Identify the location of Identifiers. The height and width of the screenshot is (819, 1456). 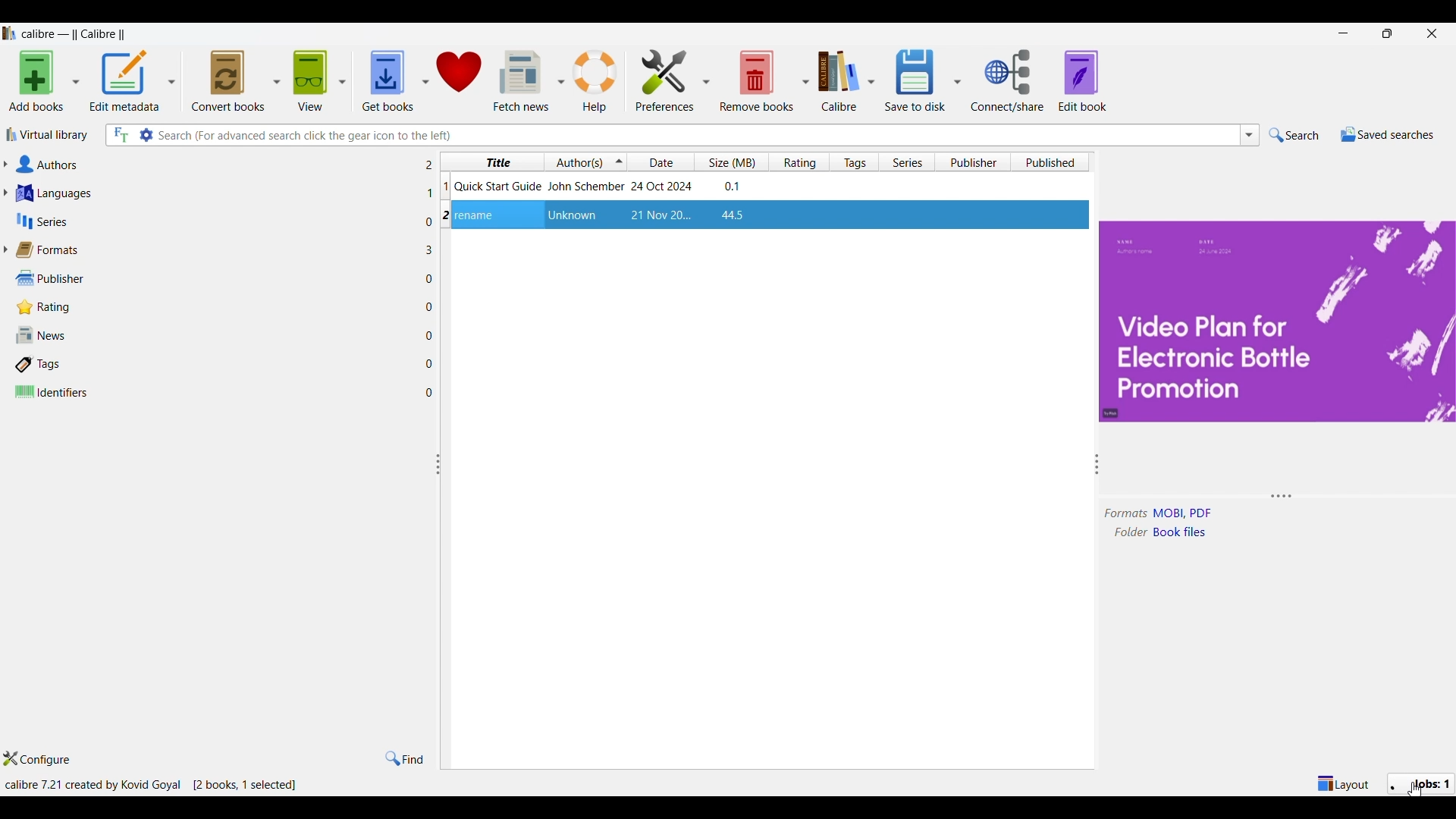
(215, 391).